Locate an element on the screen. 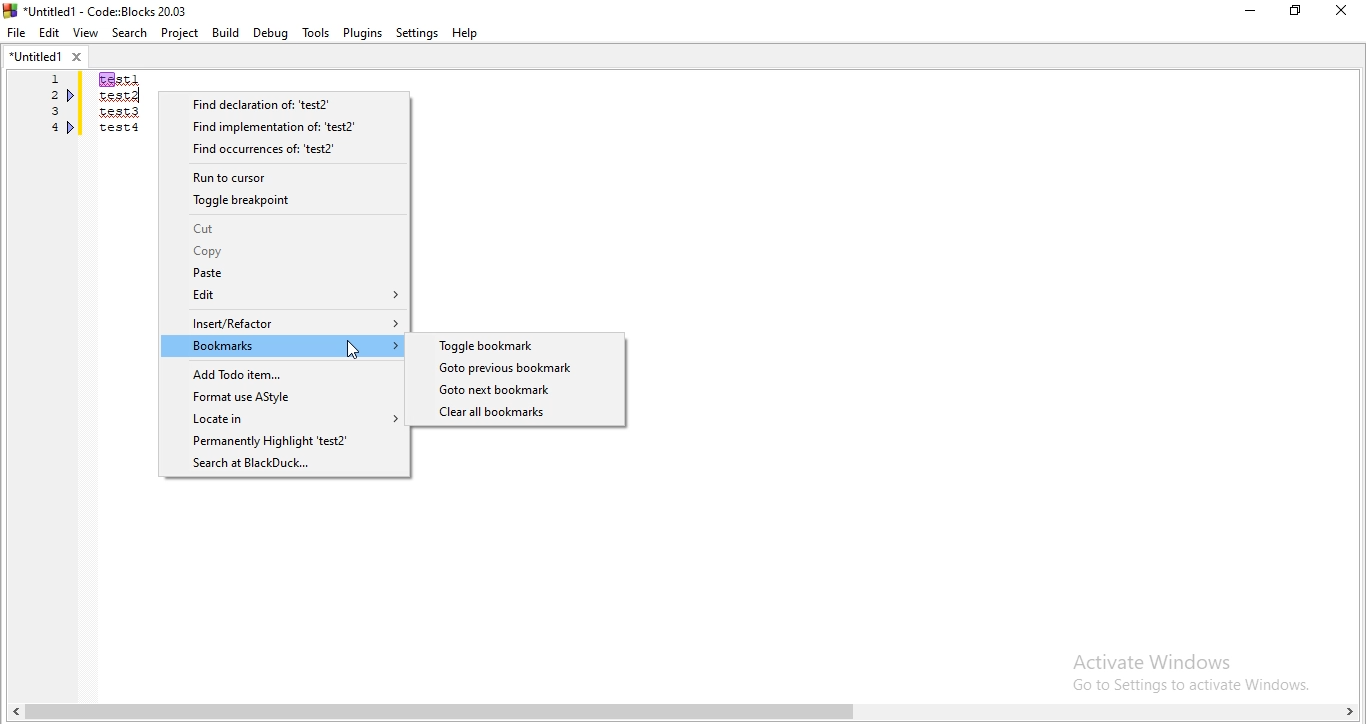  Find implementation of 'test2" is located at coordinates (290, 127).